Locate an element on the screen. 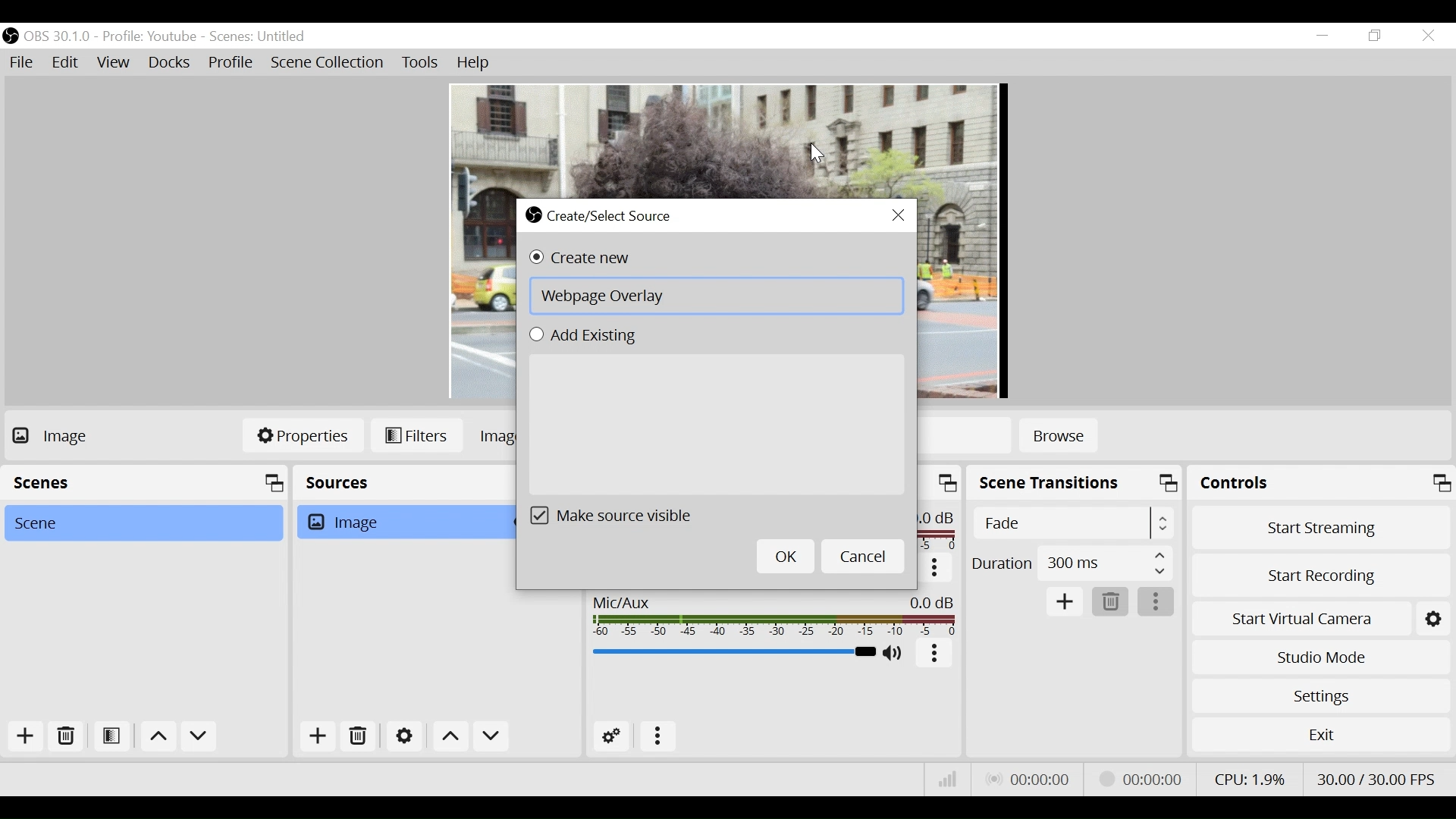 This screenshot has height=819, width=1456. CPU Usage is located at coordinates (1254, 779).